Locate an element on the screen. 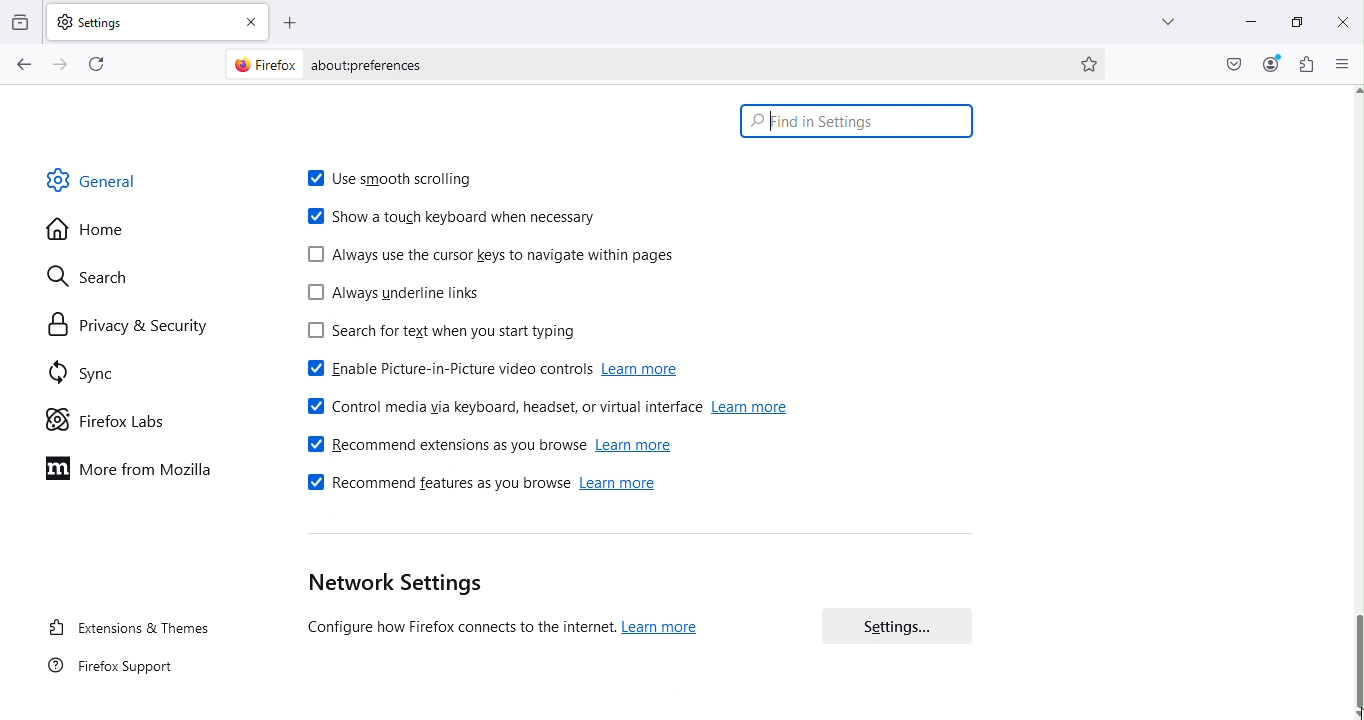 This screenshot has height=720, width=1364. Network settings is located at coordinates (391, 584).